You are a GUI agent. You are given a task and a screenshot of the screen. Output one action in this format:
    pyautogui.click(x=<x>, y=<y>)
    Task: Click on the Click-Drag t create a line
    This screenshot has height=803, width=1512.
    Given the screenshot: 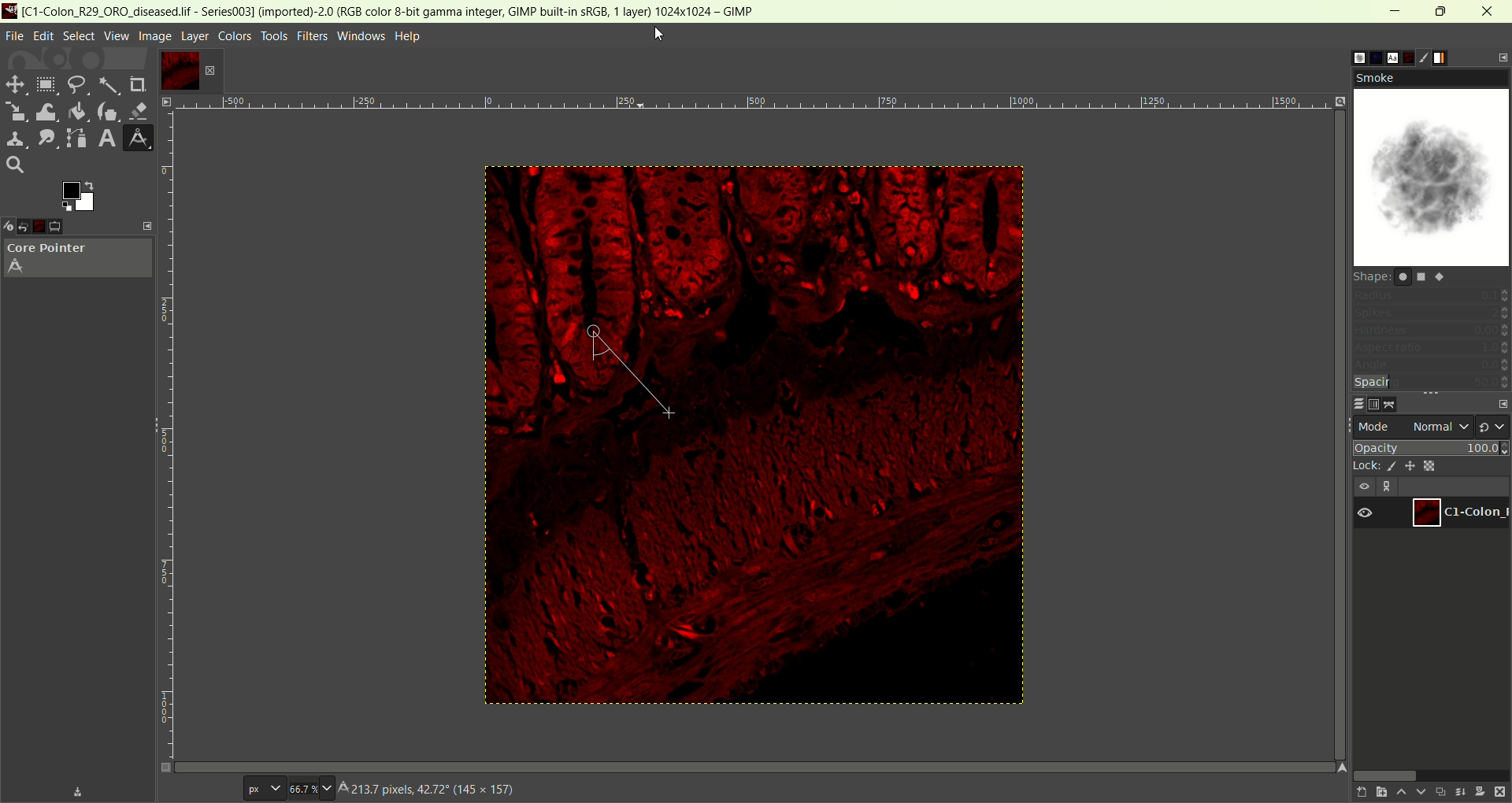 What is the action you would take?
    pyautogui.click(x=418, y=790)
    